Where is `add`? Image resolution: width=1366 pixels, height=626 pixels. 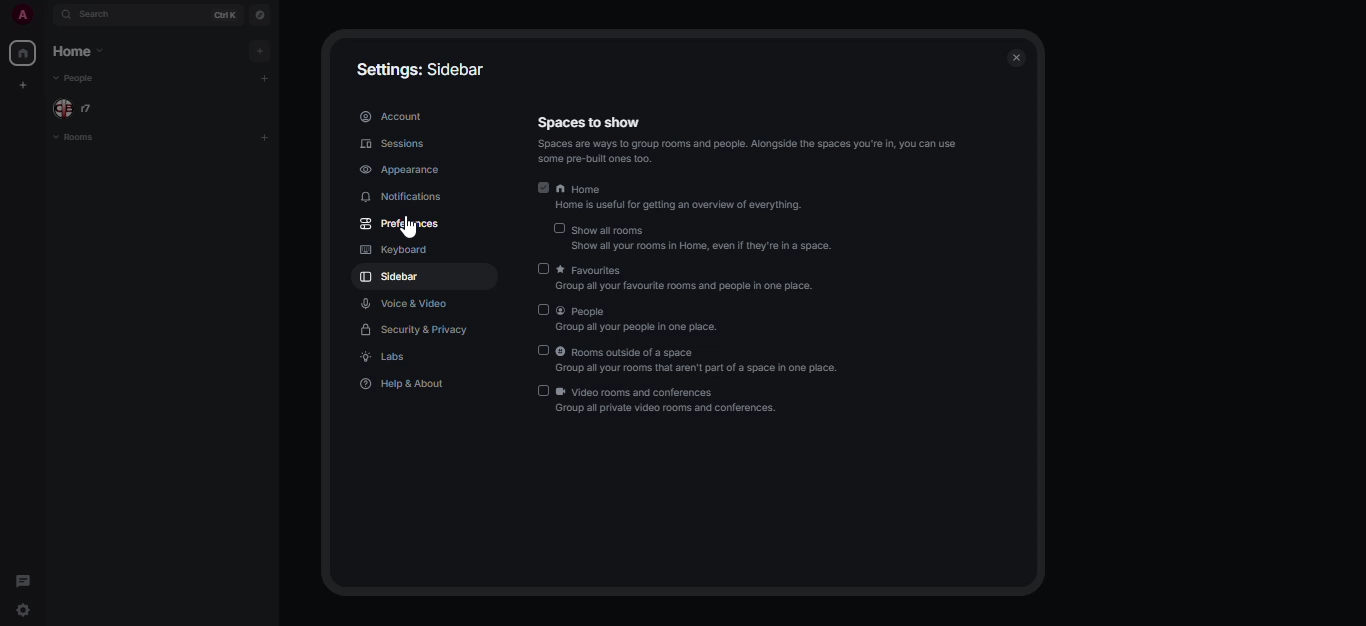
add is located at coordinates (265, 78).